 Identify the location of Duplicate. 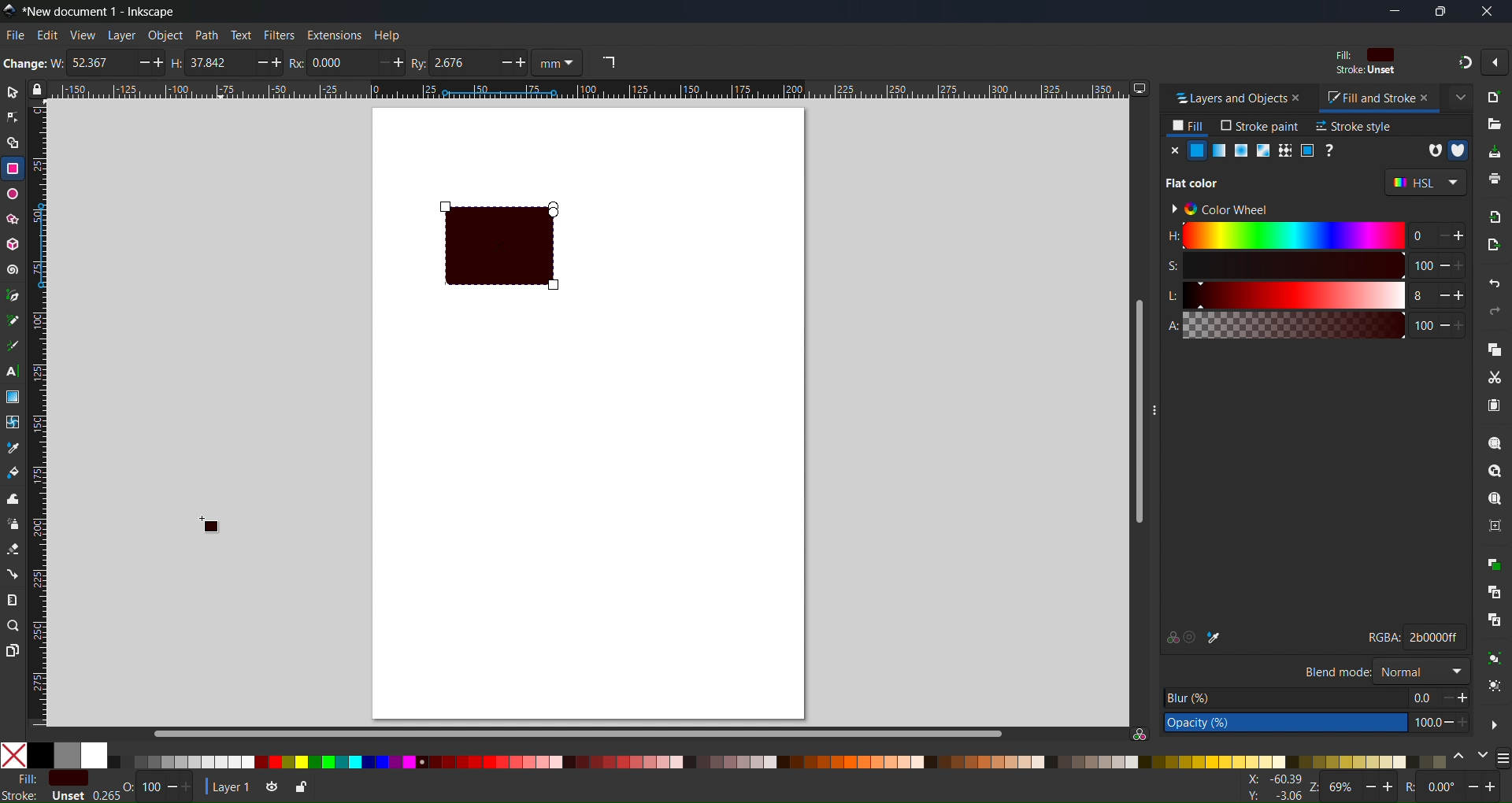
(1495, 564).